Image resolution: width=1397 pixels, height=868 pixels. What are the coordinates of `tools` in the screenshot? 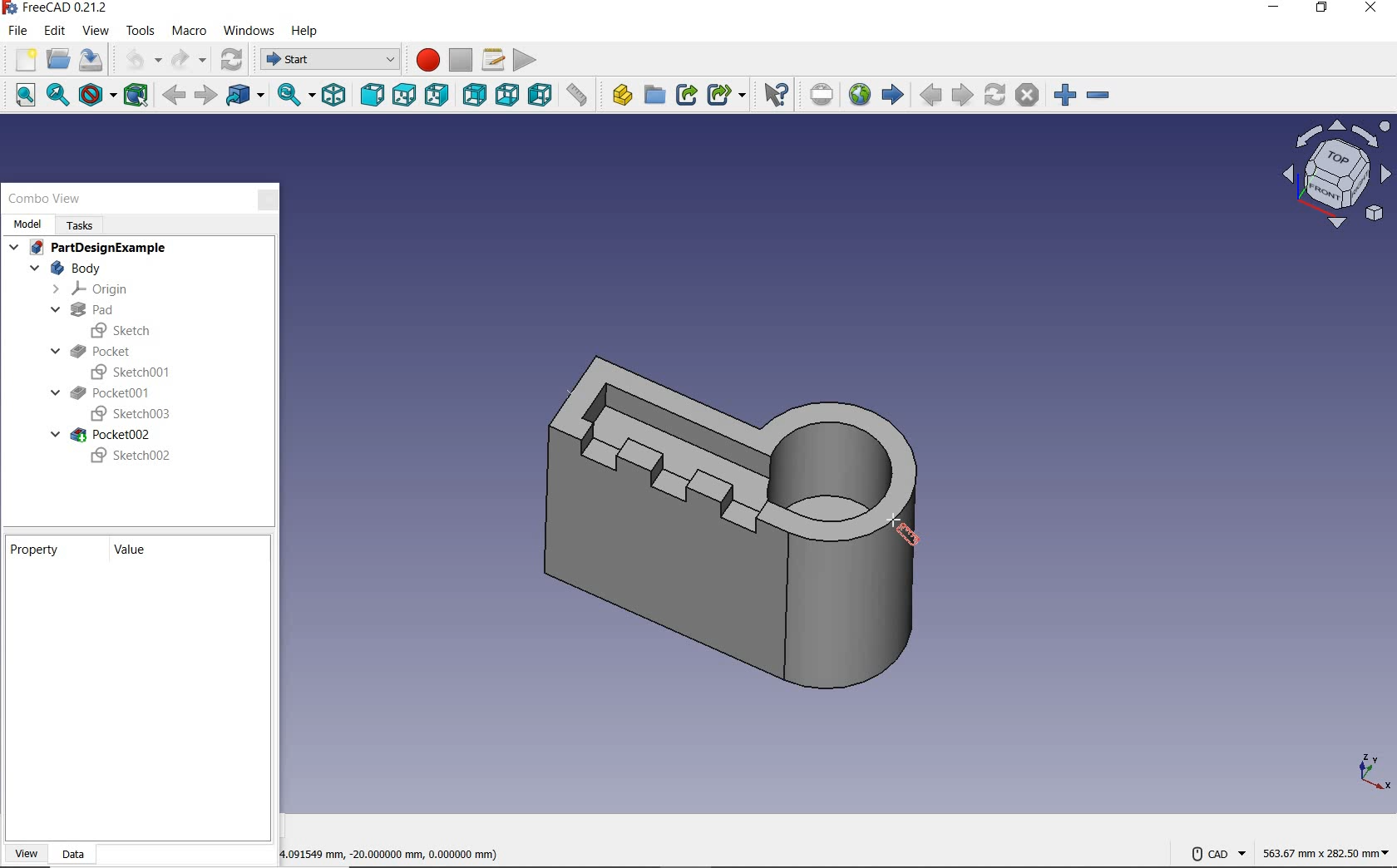 It's located at (137, 31).